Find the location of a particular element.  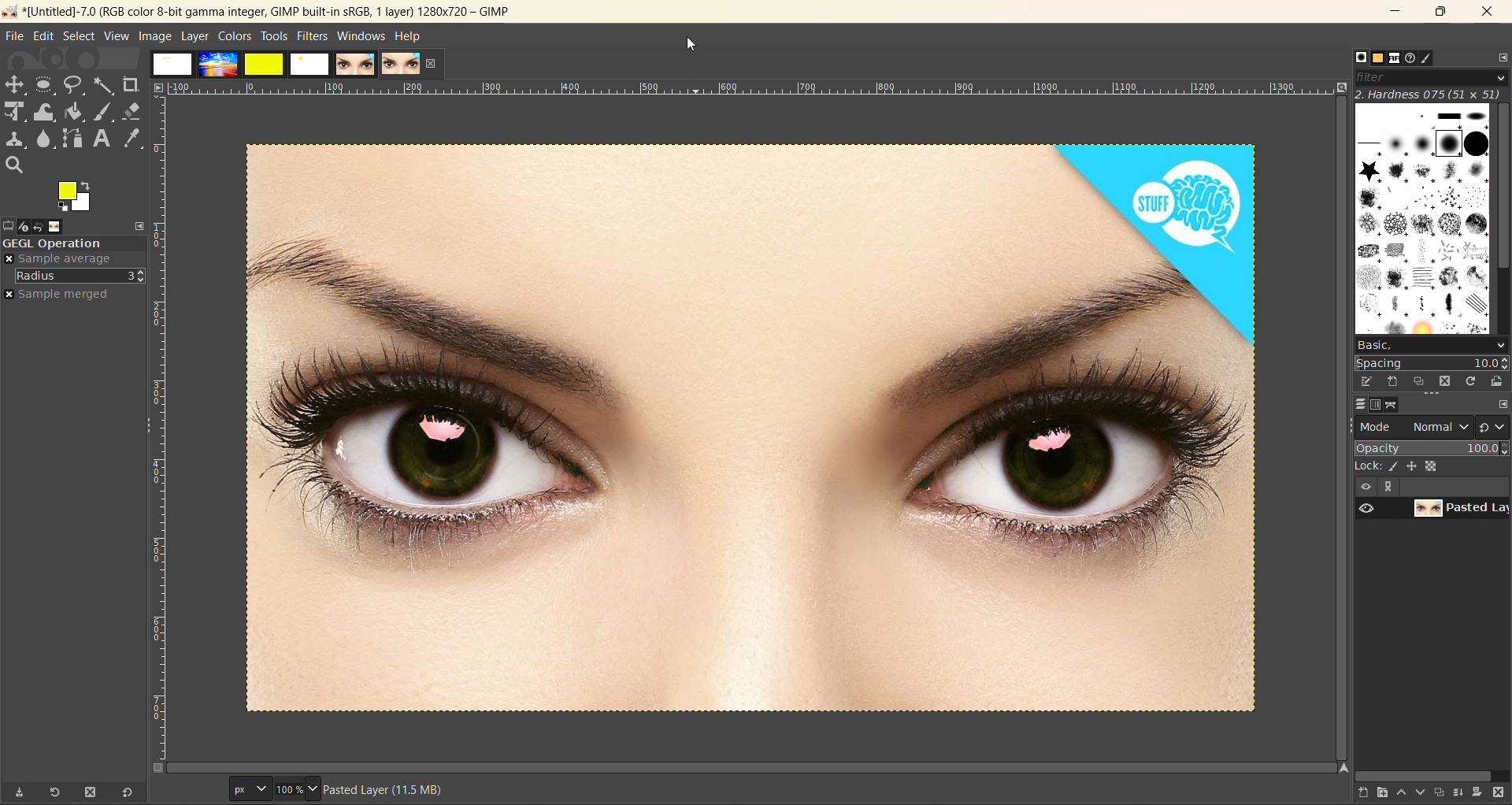

file is located at coordinates (11, 36).